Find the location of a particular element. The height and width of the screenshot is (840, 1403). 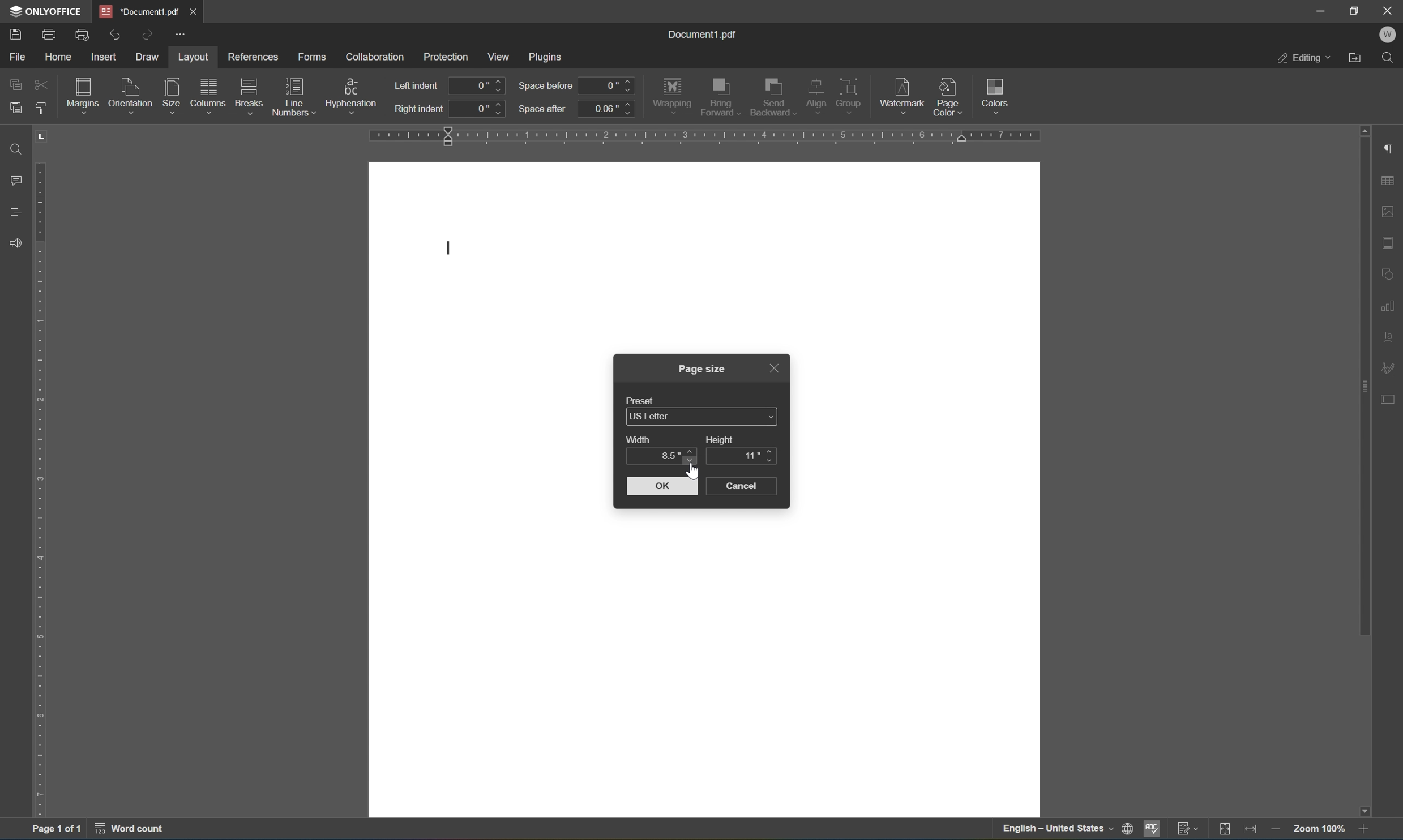

wrapping is located at coordinates (672, 94).